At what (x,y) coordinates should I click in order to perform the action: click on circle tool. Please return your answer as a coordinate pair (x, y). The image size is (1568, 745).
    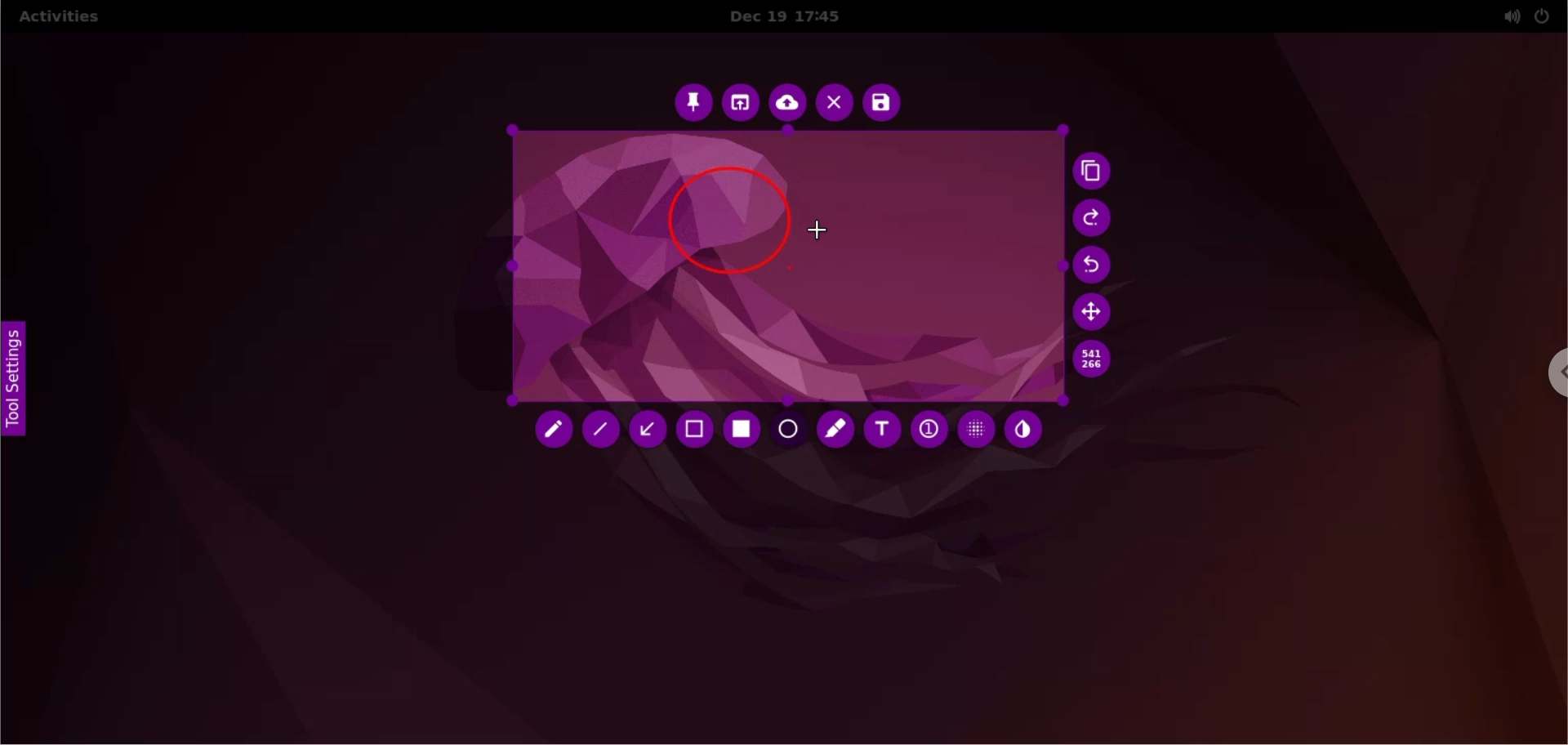
    Looking at the image, I should click on (790, 431).